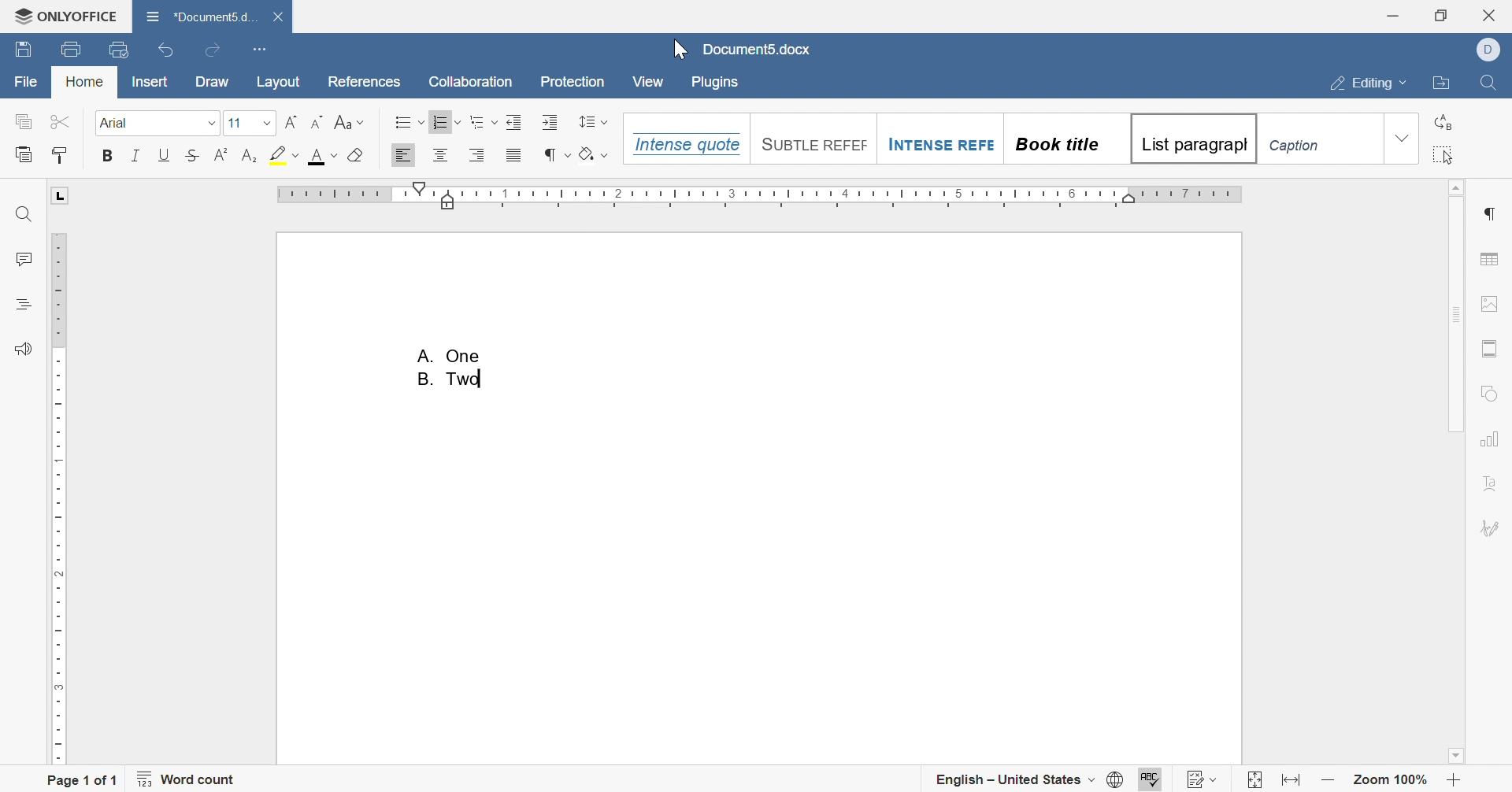 This screenshot has width=1512, height=792. I want to click on Align Left, so click(404, 154).